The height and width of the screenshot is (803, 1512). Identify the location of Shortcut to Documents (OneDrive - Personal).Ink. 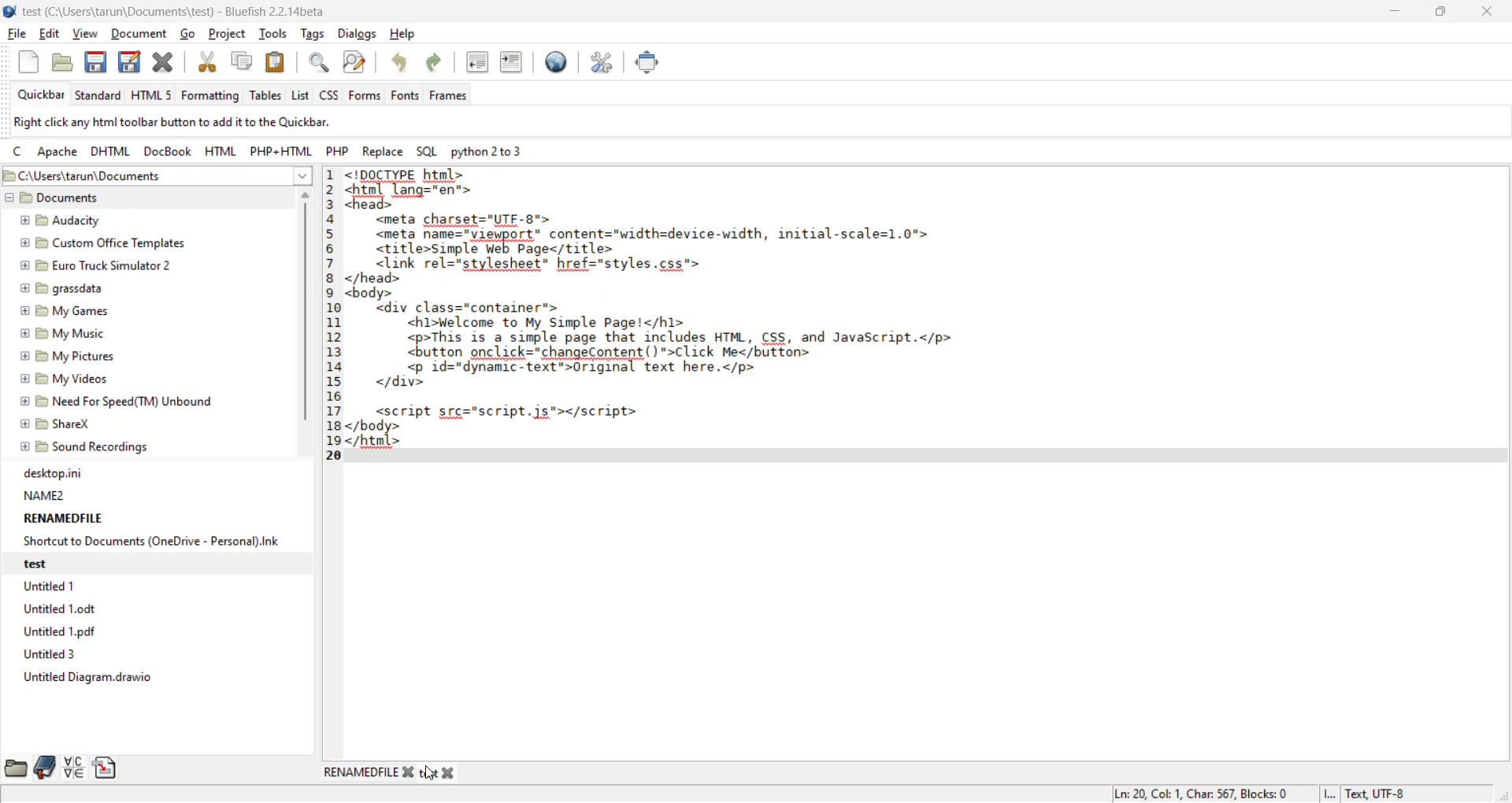
(152, 540).